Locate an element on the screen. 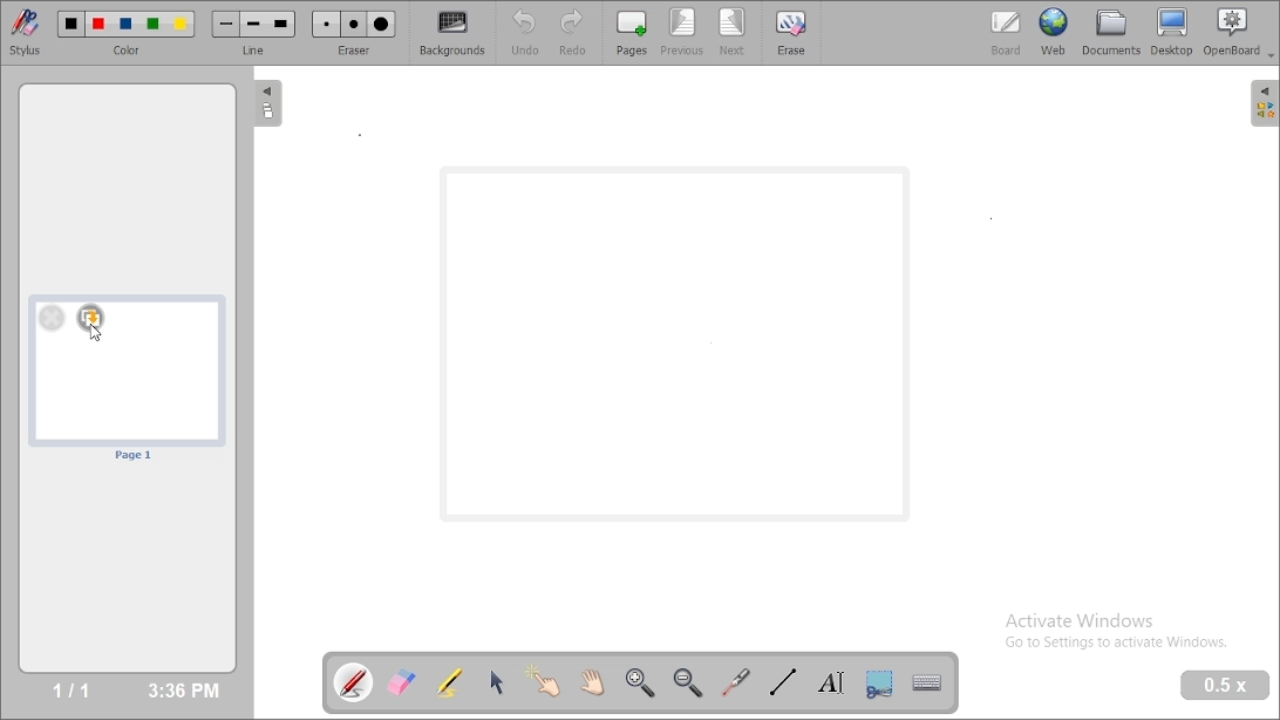  draw lines is located at coordinates (782, 681).